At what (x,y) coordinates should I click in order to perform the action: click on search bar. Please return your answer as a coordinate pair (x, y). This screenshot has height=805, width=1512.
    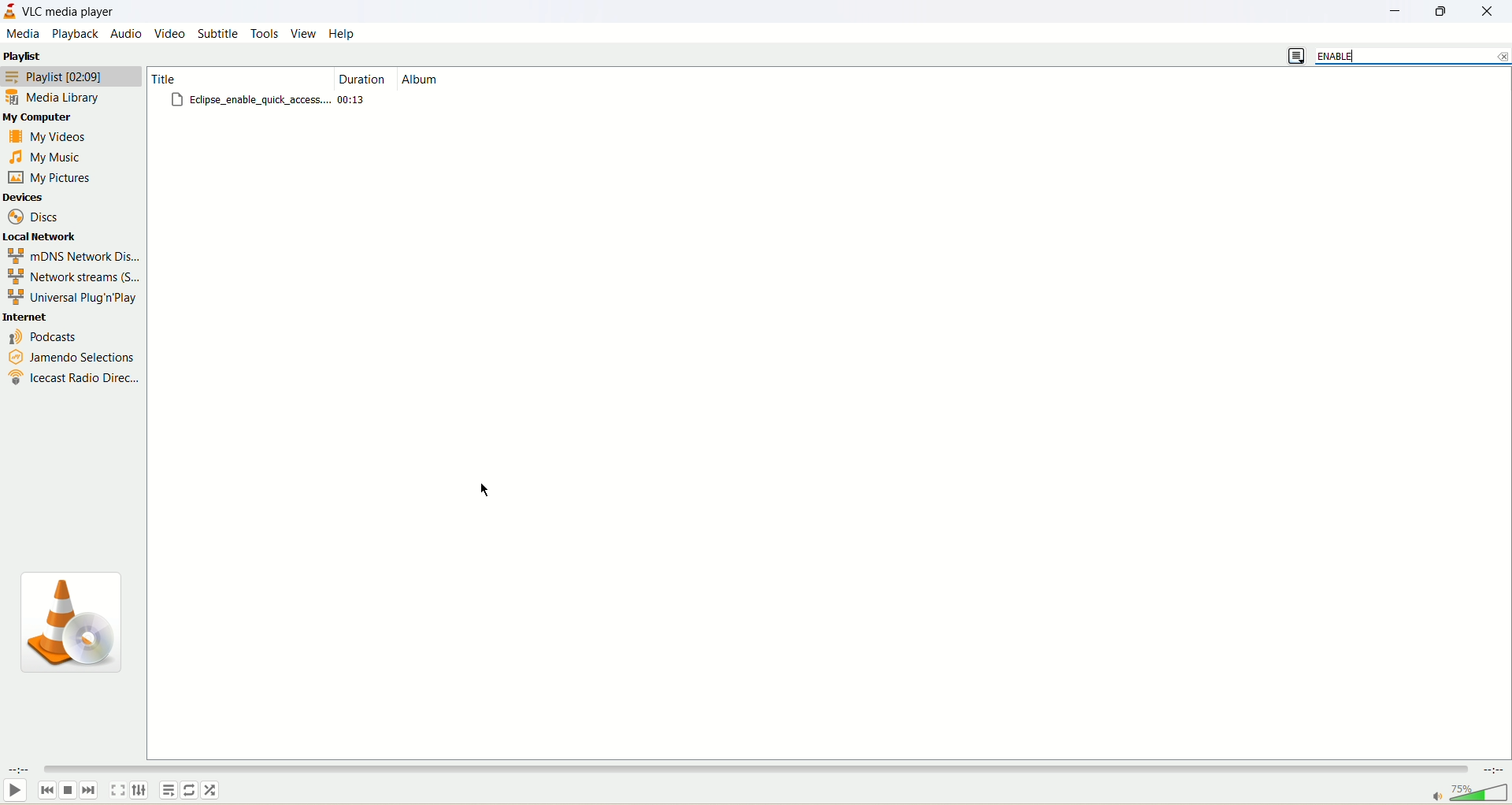
    Looking at the image, I should click on (1414, 56).